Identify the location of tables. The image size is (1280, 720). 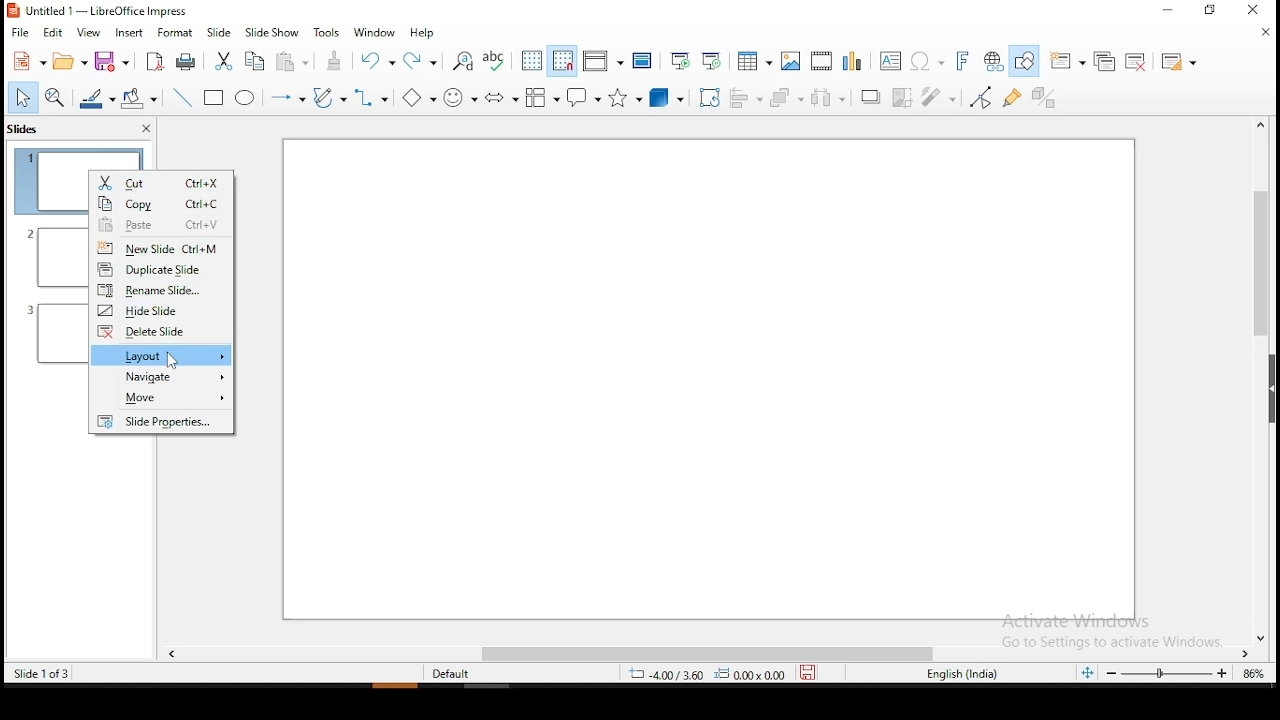
(754, 61).